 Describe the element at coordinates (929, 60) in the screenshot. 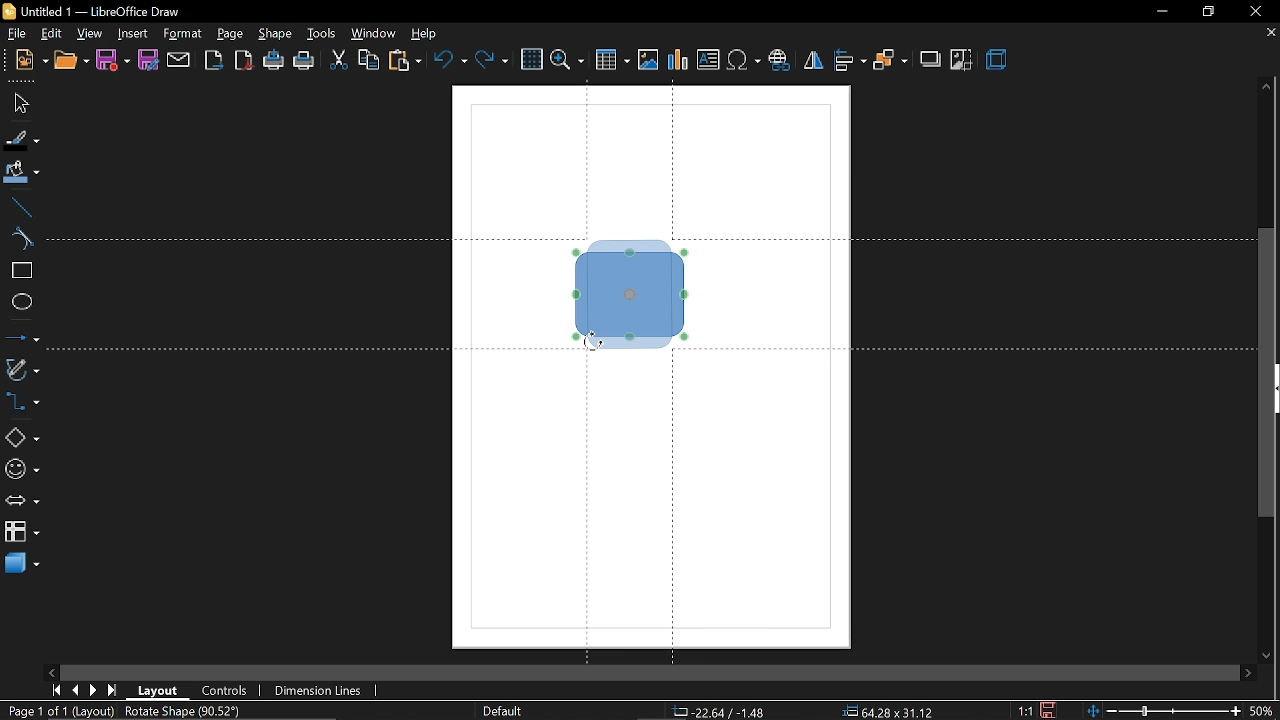

I see `shadow` at that location.